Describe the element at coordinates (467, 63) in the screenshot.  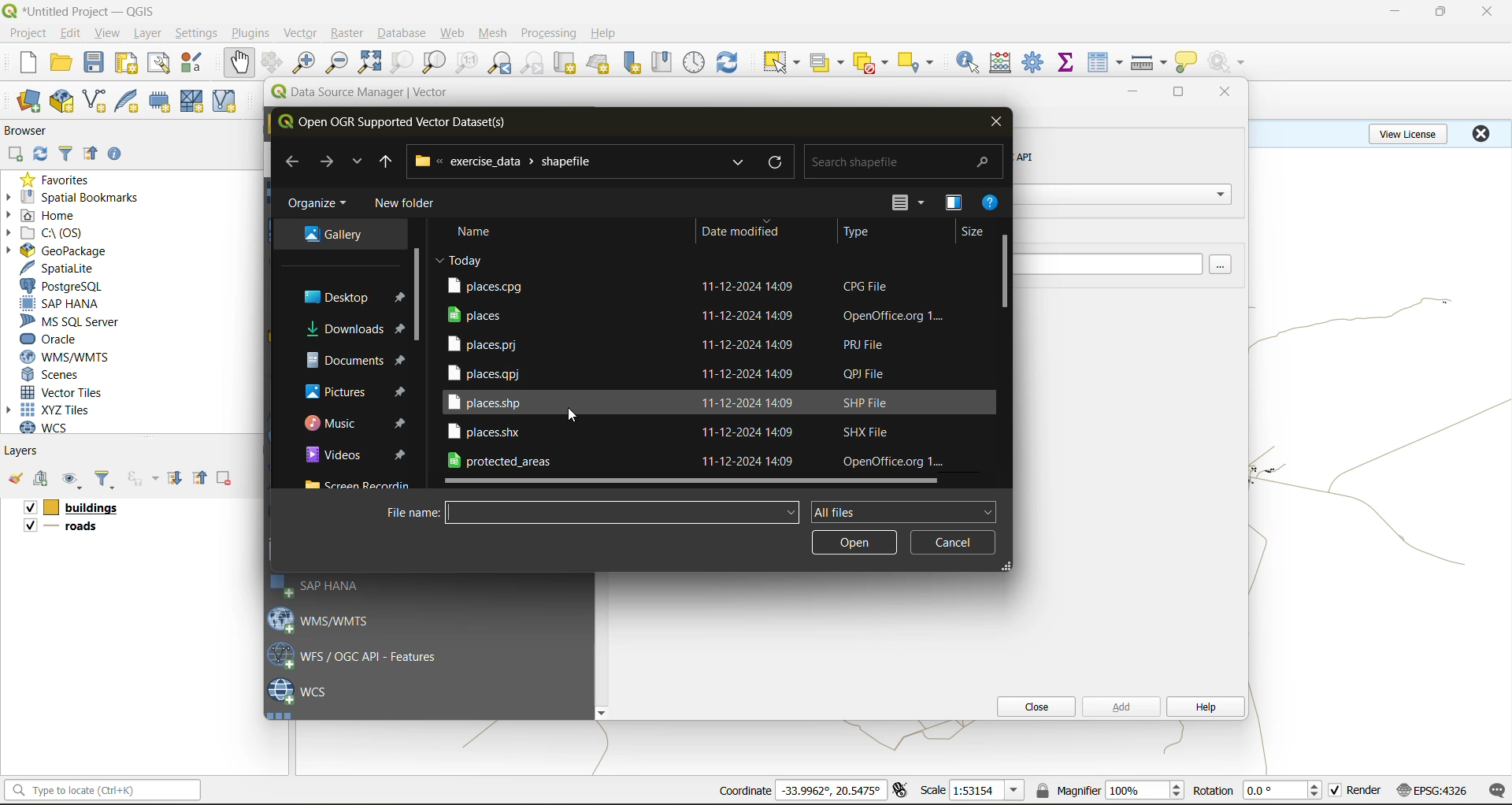
I see `zoom native` at that location.